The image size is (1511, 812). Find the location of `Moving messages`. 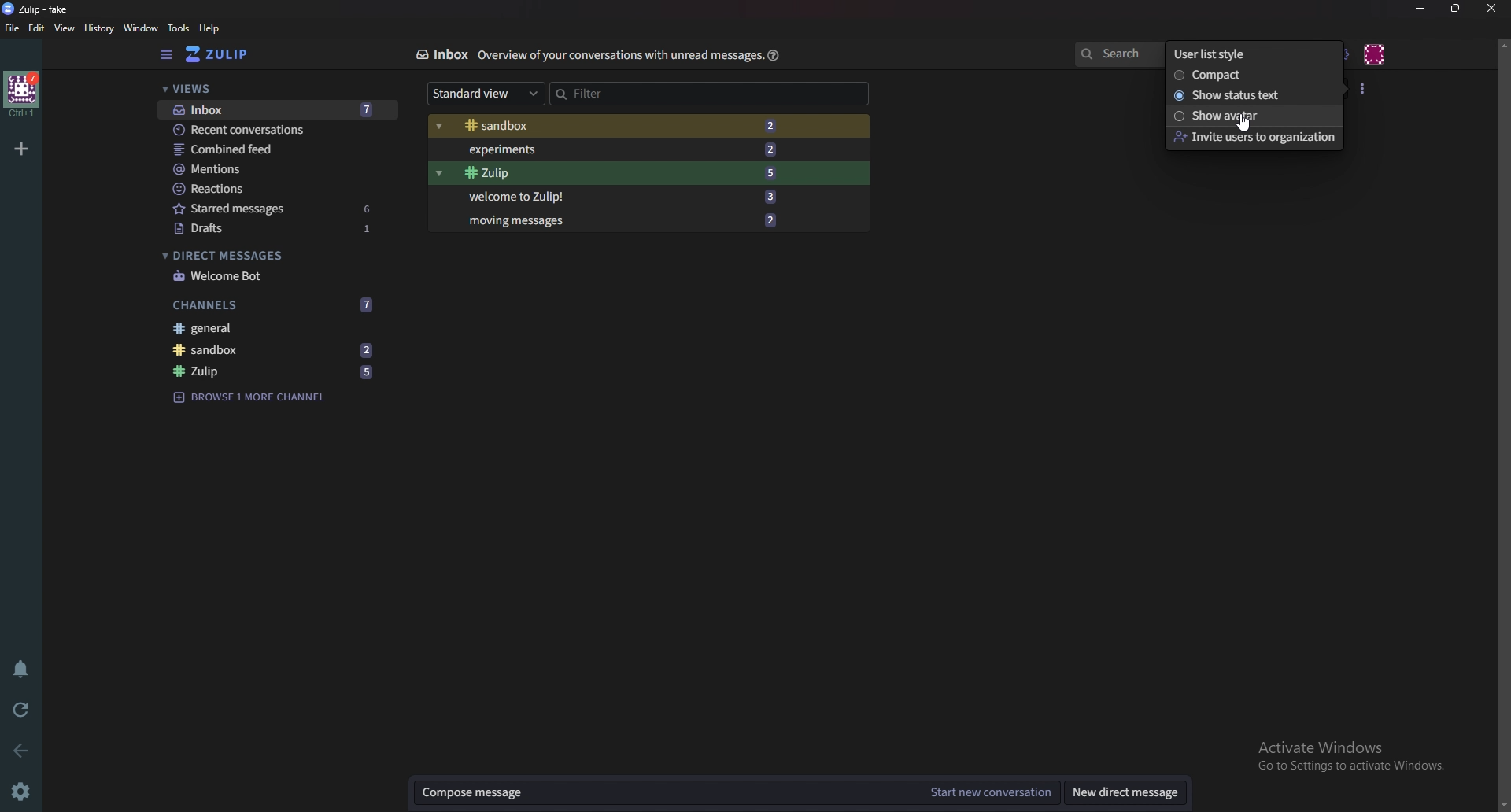

Moving messages is located at coordinates (621, 220).